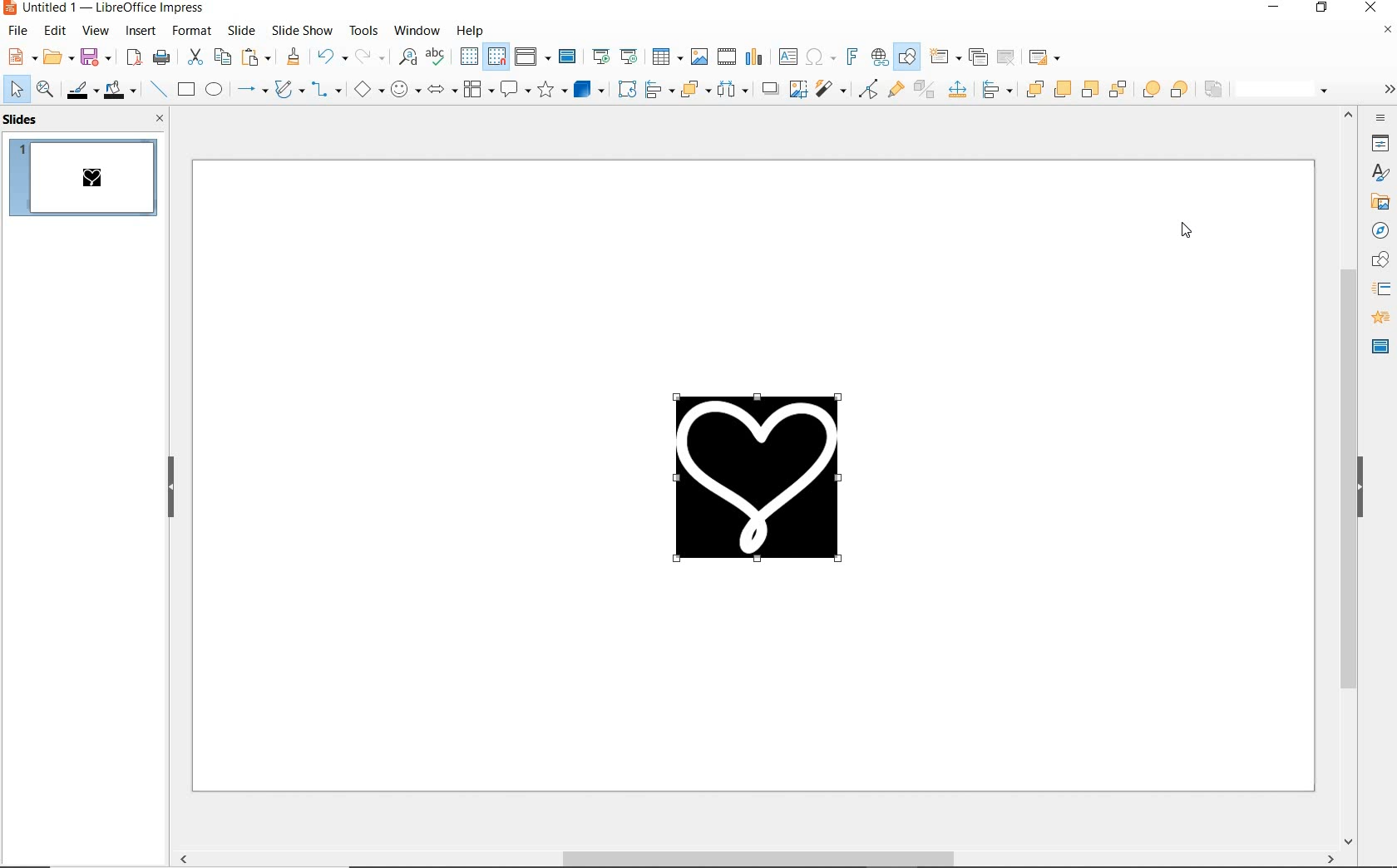 The image size is (1397, 868). Describe the element at coordinates (996, 90) in the screenshot. I see `` at that location.